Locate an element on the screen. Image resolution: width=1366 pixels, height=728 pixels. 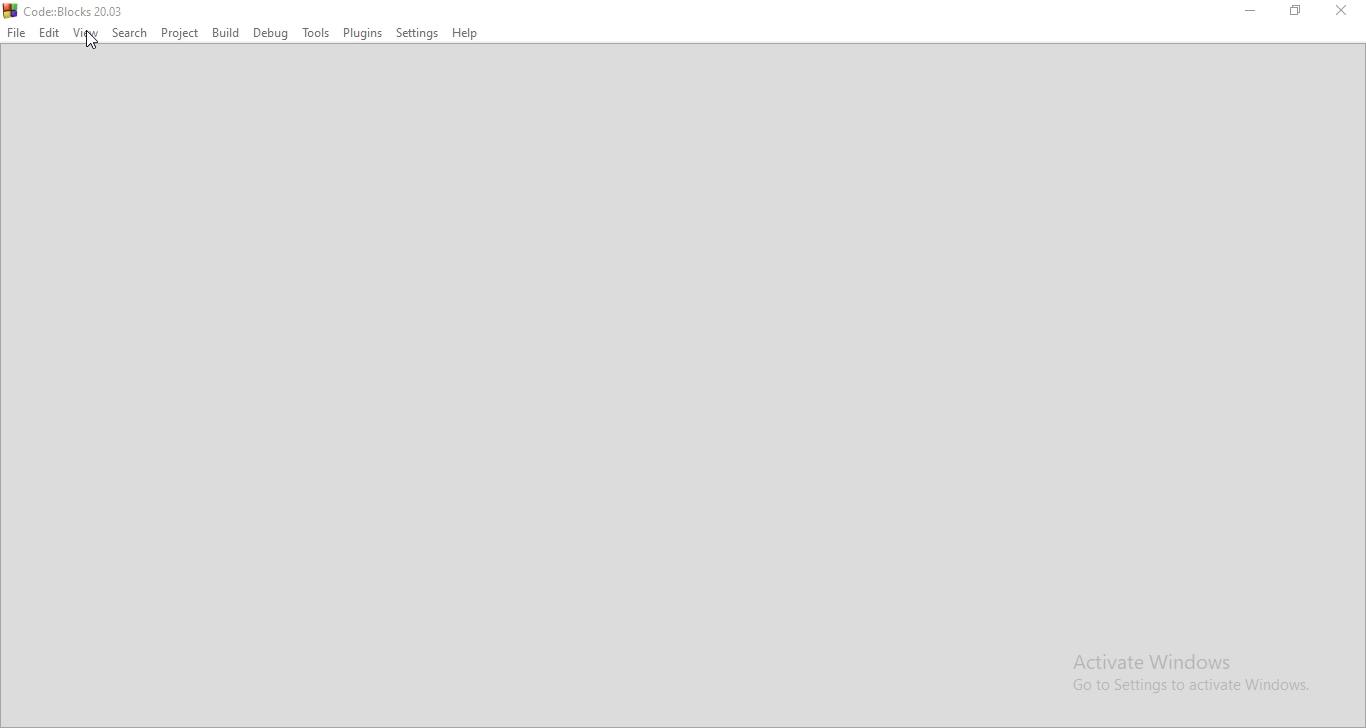
File is located at coordinates (16, 34).